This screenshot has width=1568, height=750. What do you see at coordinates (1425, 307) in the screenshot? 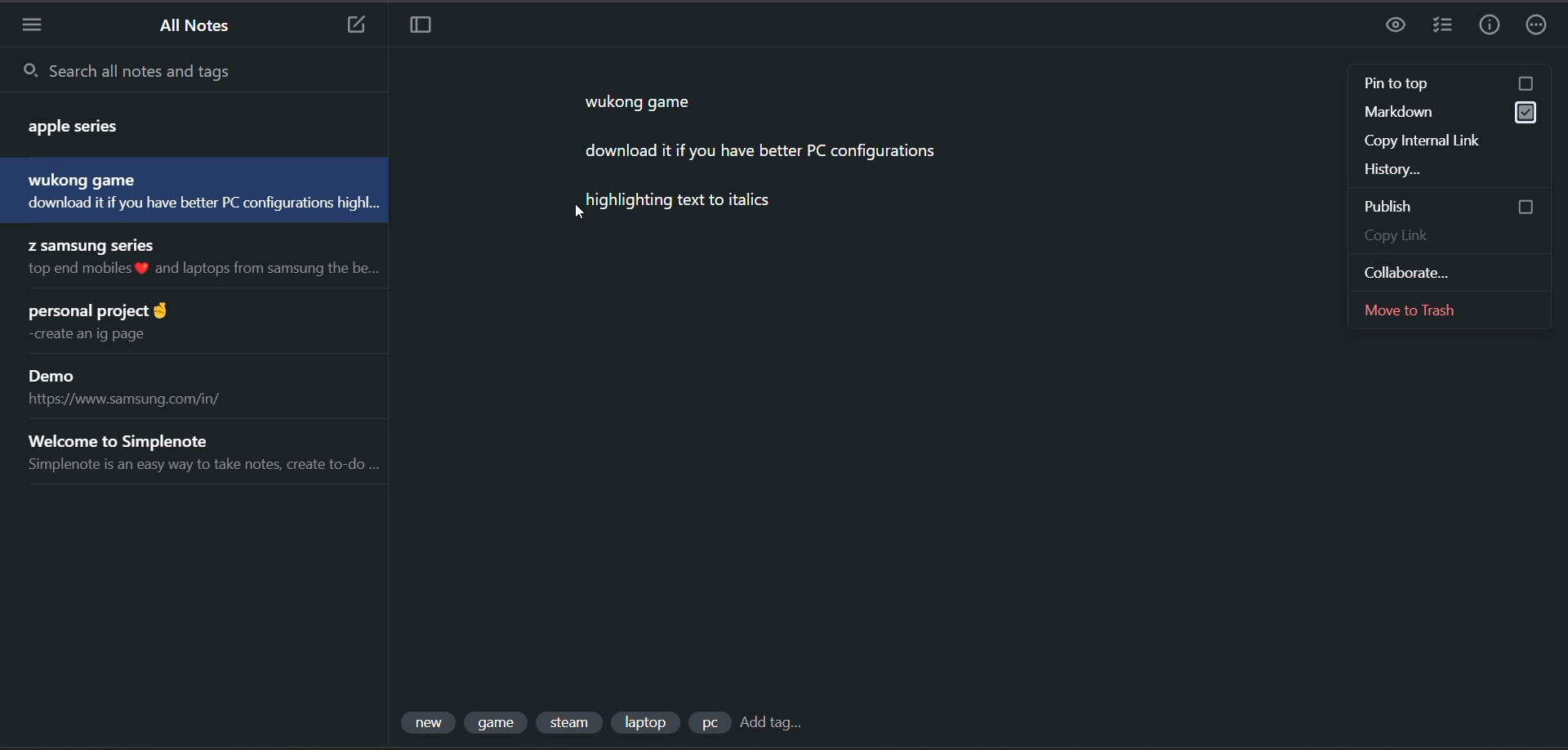
I see `move to trash` at bounding box center [1425, 307].